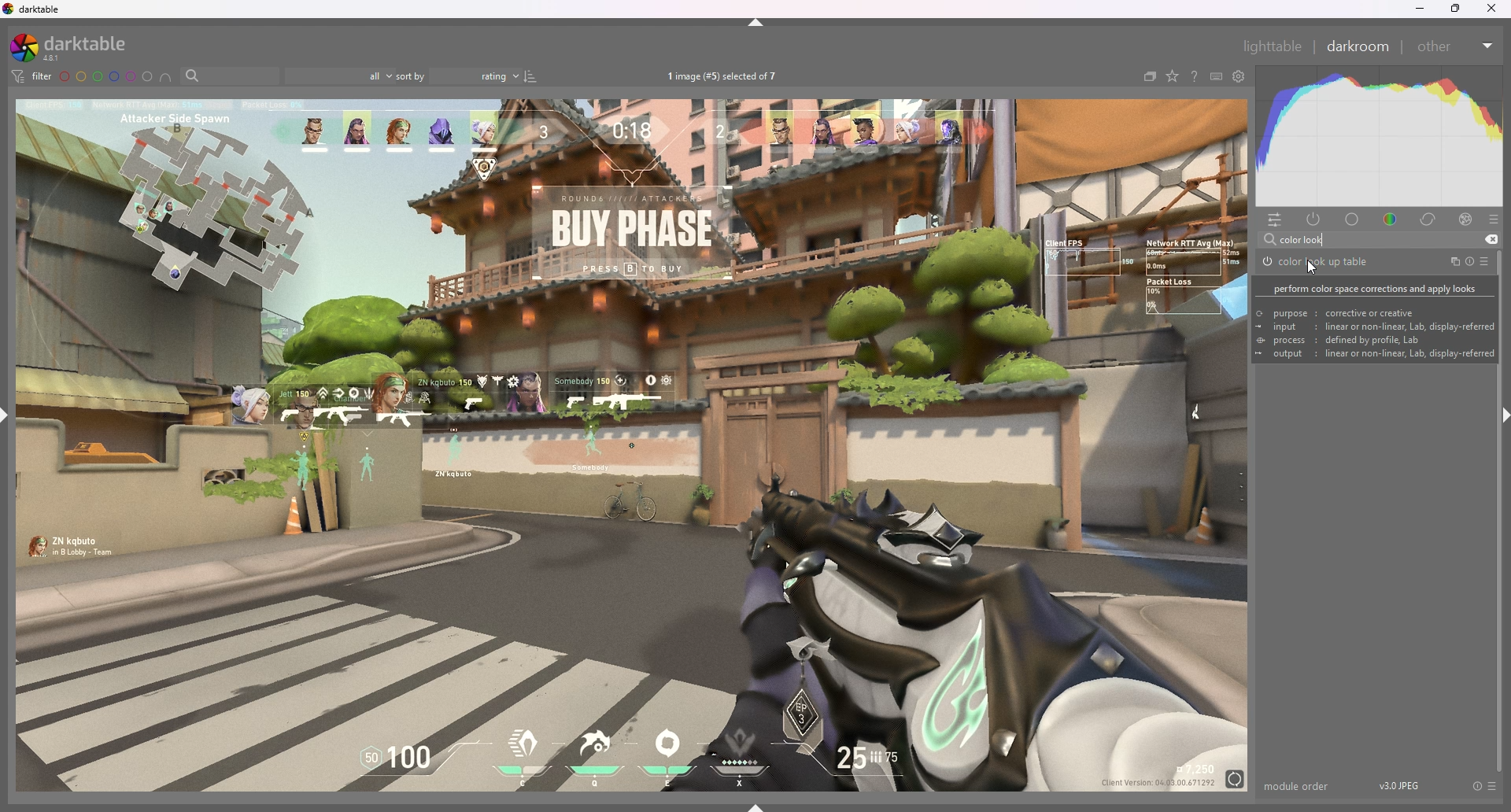 Image resolution: width=1511 pixels, height=812 pixels. Describe the element at coordinates (1502, 513) in the screenshot. I see `scroll bar` at that location.